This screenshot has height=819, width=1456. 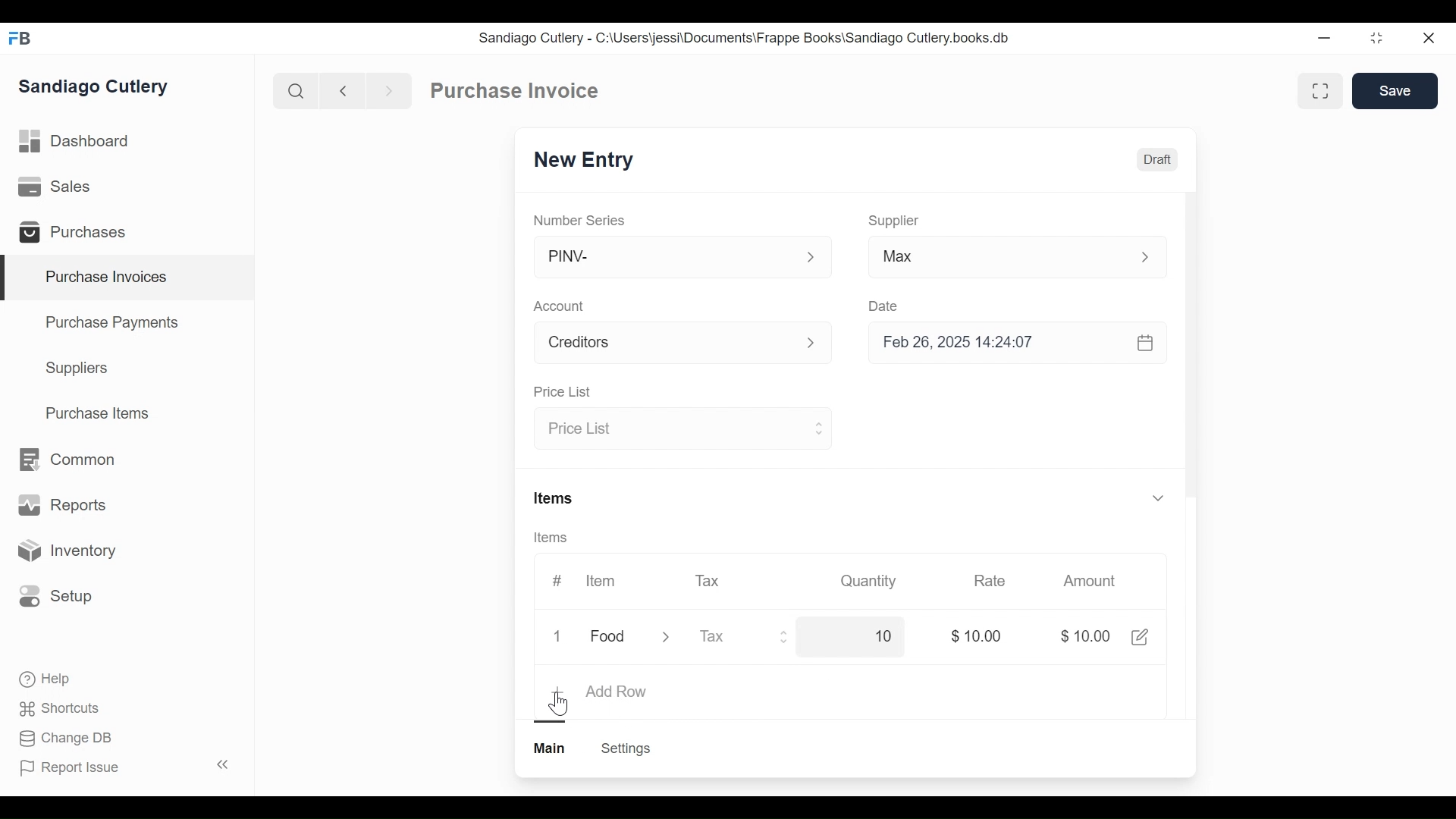 What do you see at coordinates (25, 39) in the screenshot?
I see `Frappe Books Desktop icon` at bounding box center [25, 39].